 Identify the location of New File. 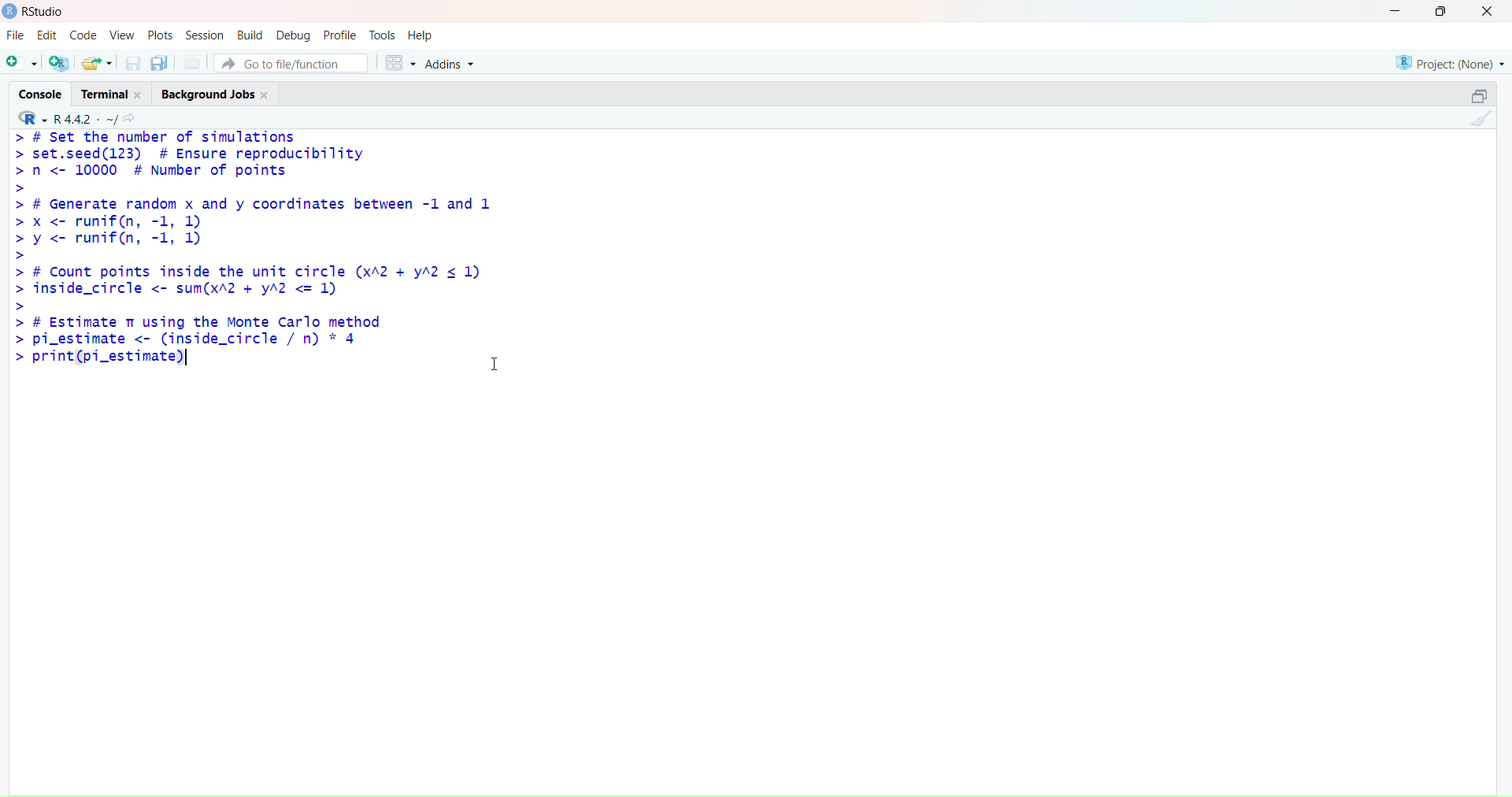
(22, 63).